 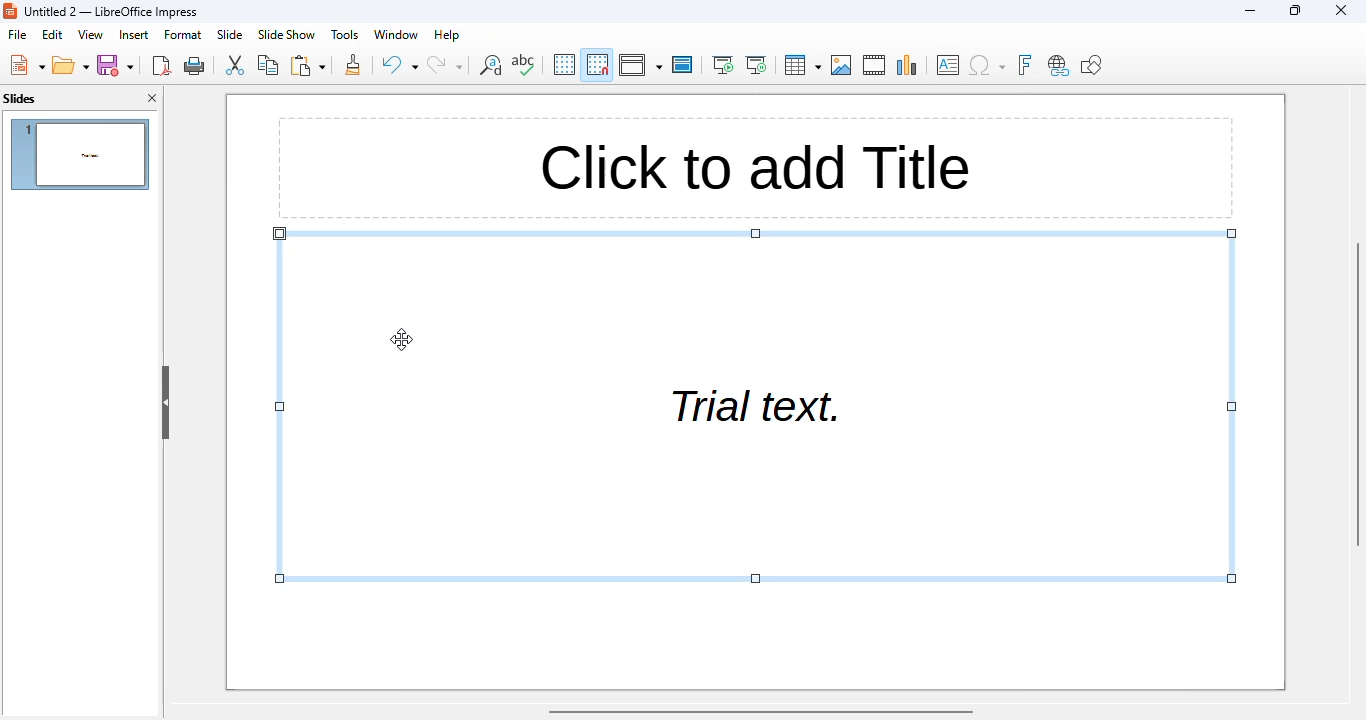 What do you see at coordinates (682, 65) in the screenshot?
I see `master slide` at bounding box center [682, 65].